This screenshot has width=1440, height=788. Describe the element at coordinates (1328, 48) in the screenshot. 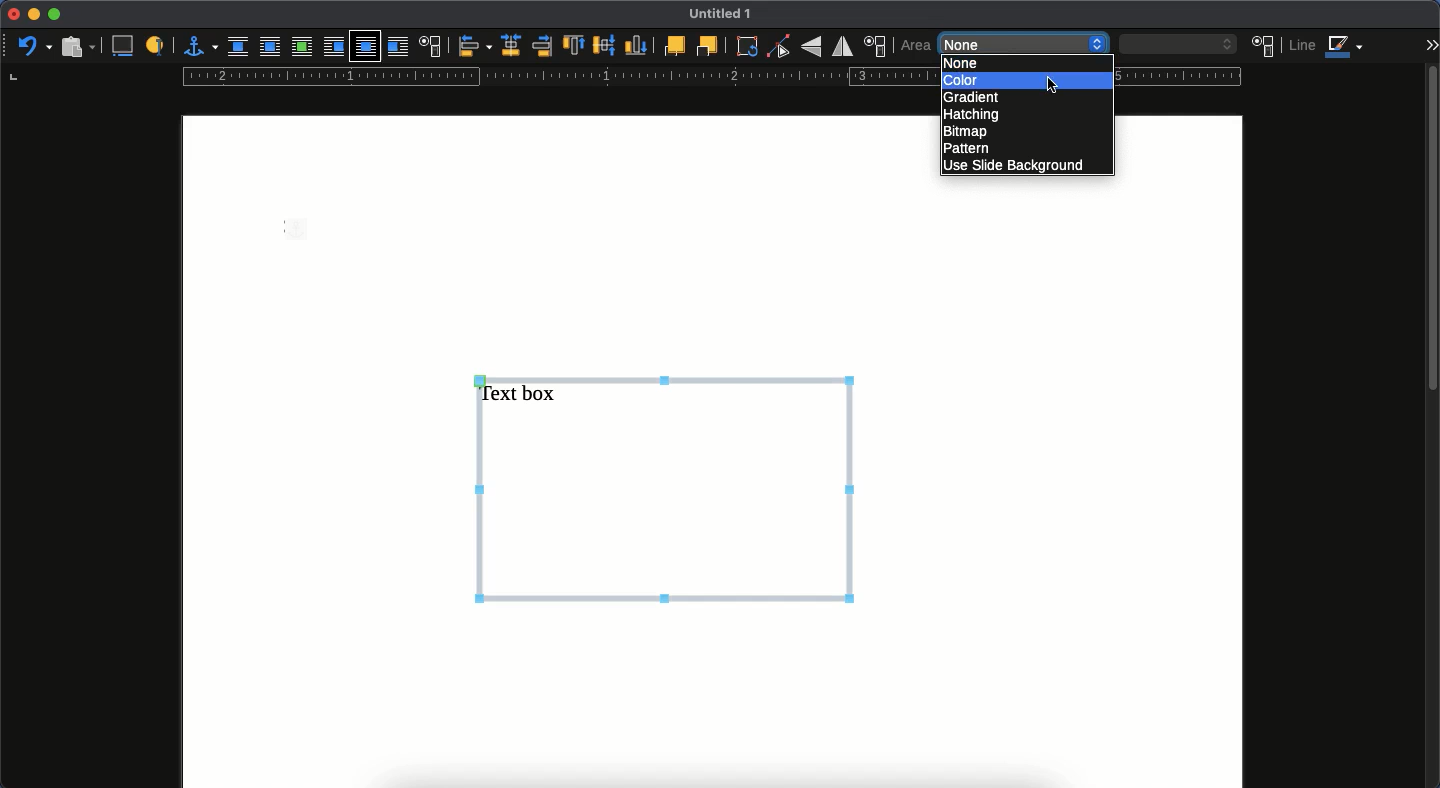

I see `line color` at that location.